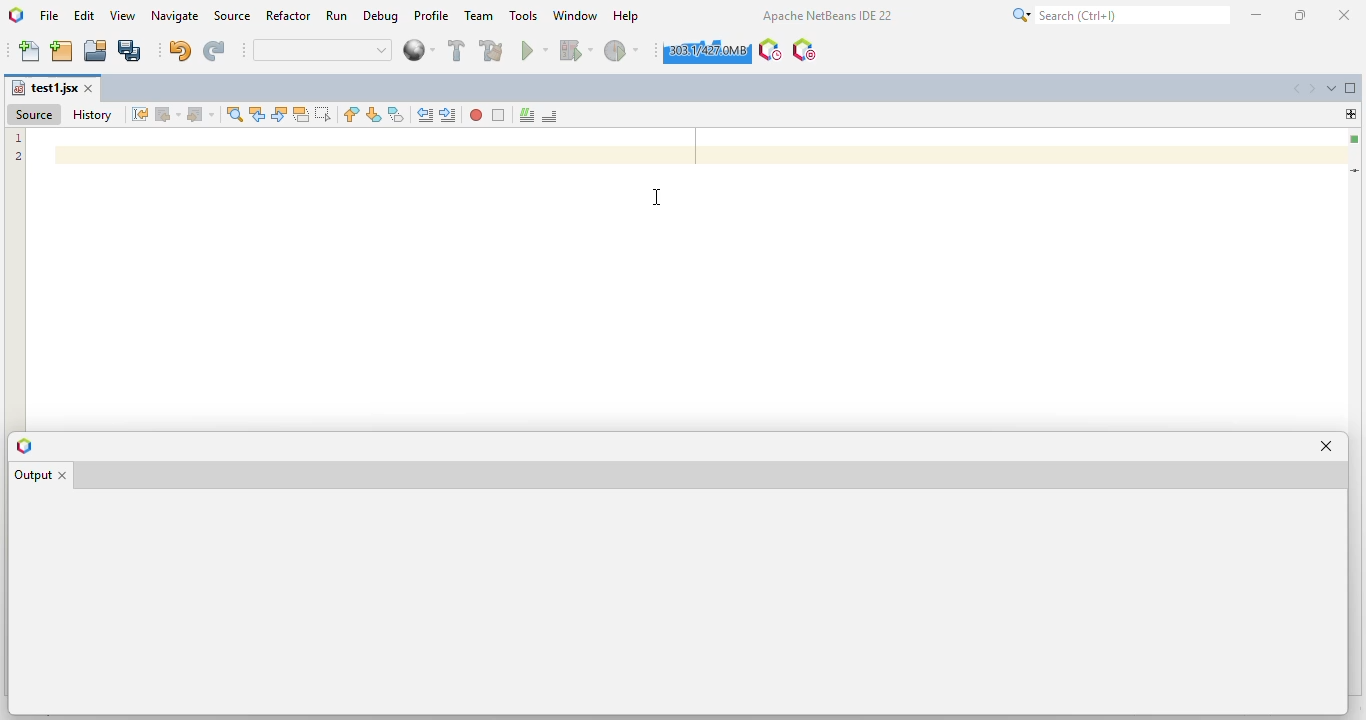 The width and height of the screenshot is (1366, 720). What do you see at coordinates (141, 114) in the screenshot?
I see `last edit` at bounding box center [141, 114].